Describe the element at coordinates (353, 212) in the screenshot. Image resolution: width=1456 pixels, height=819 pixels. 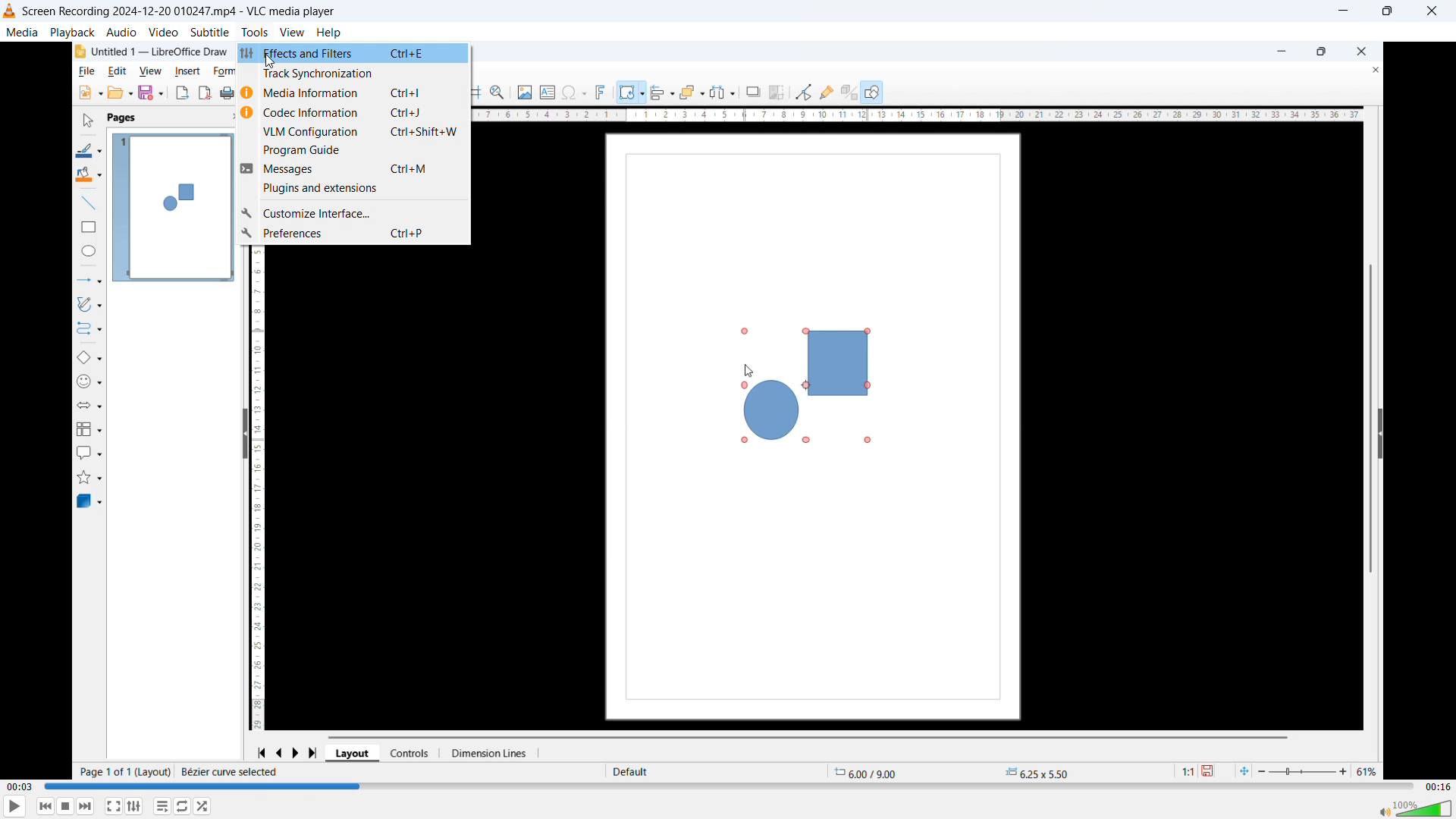
I see `customise interface ` at that location.